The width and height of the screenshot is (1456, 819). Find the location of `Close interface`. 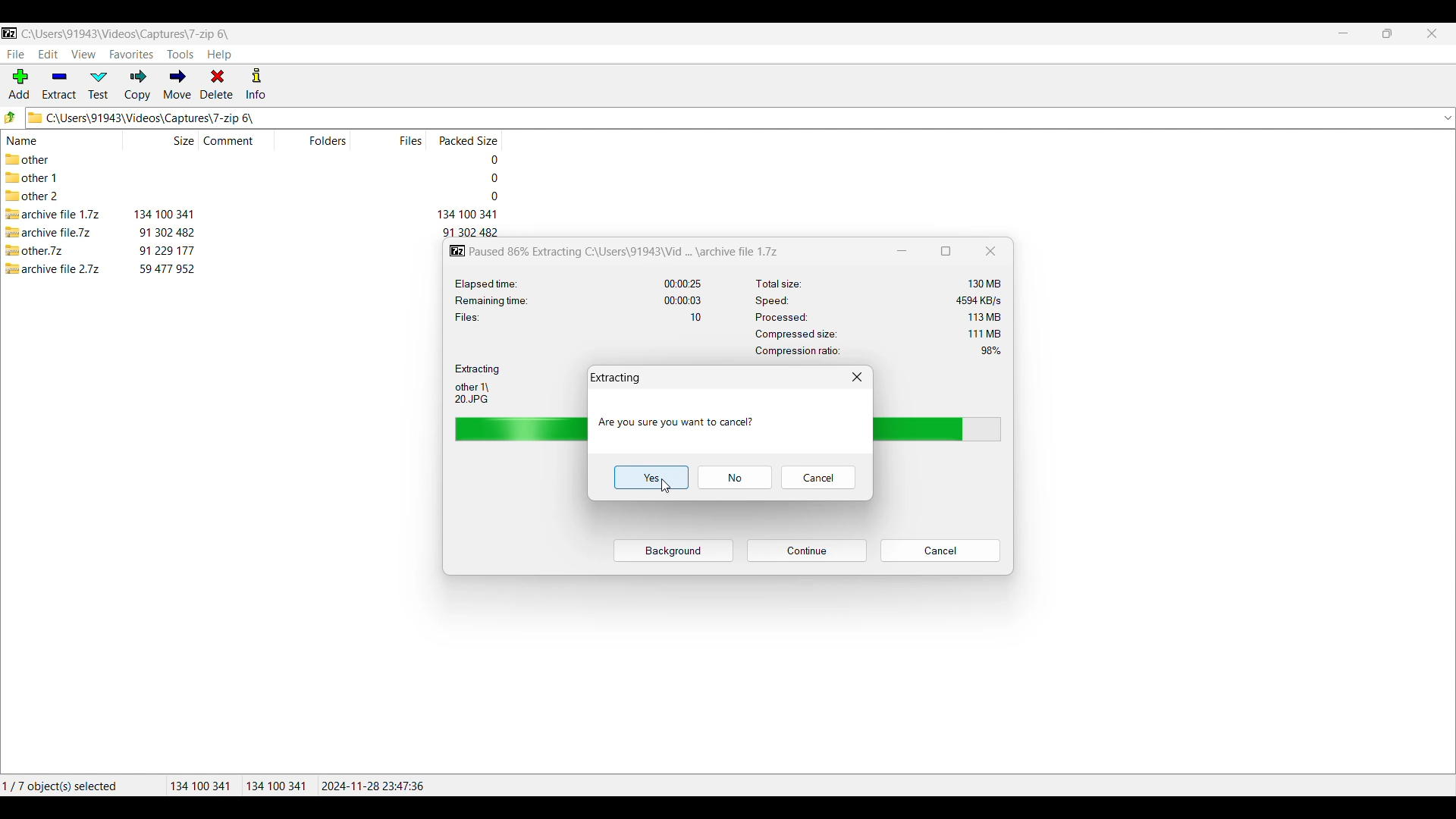

Close interface is located at coordinates (1432, 33).